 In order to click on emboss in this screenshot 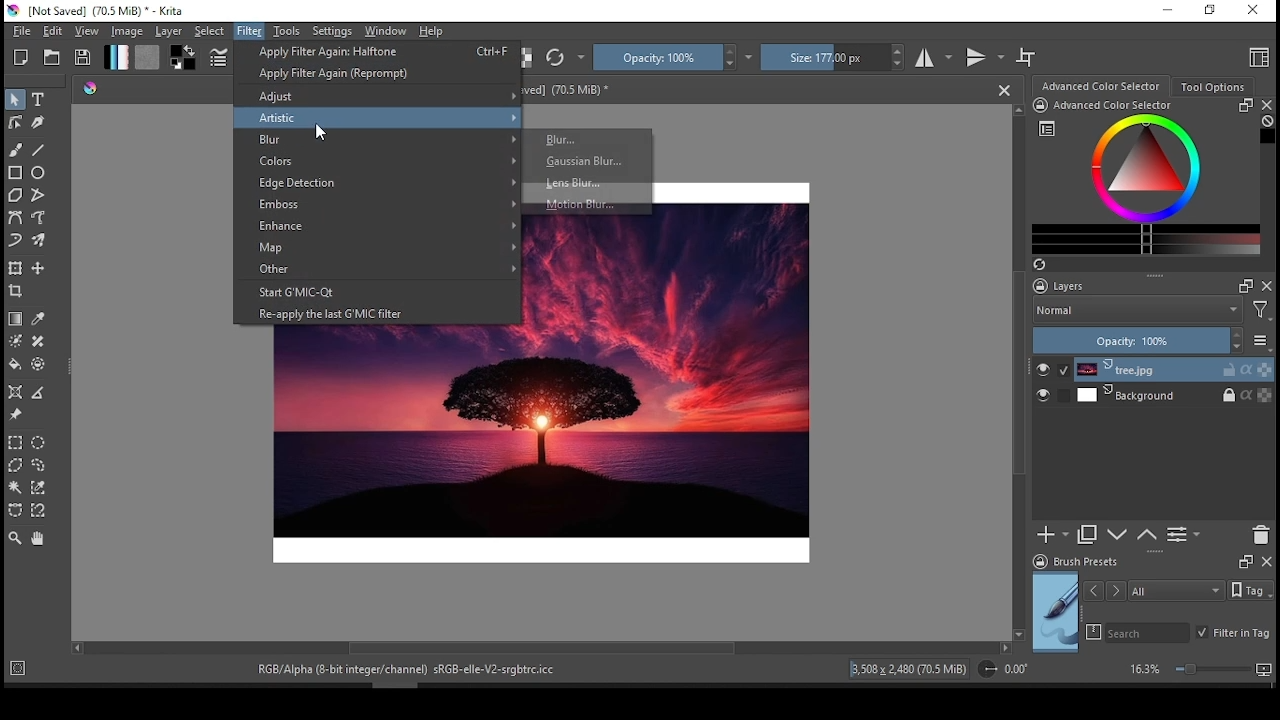, I will do `click(378, 204)`.